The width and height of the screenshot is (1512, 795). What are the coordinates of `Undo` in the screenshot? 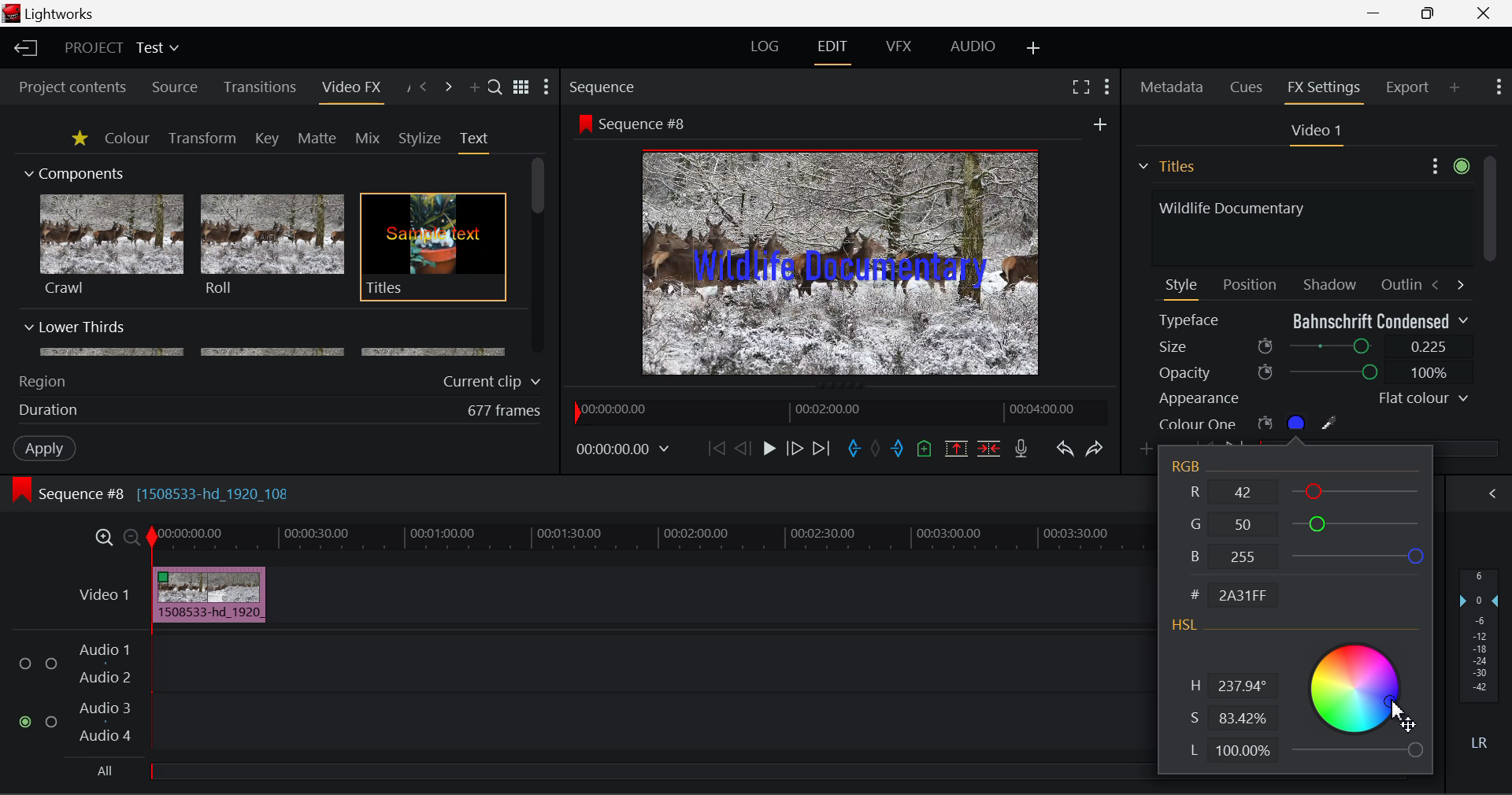 It's located at (1065, 450).